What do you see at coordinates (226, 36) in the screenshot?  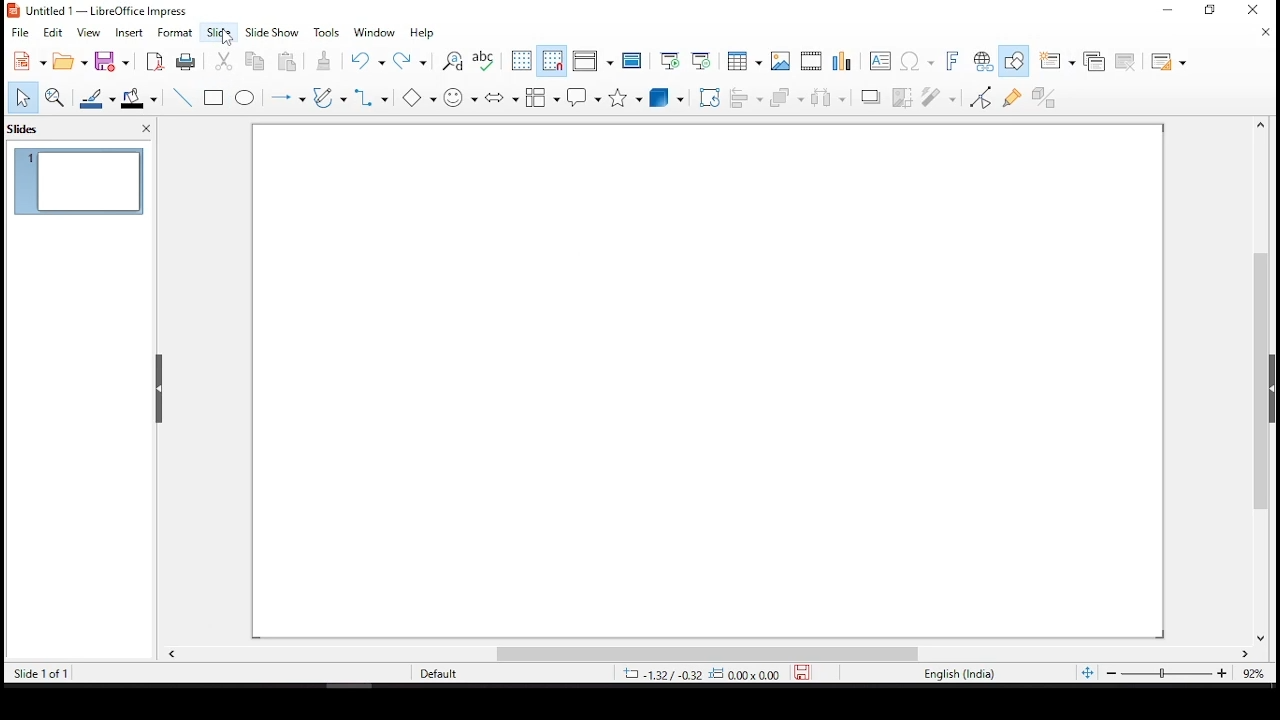 I see `Cursor` at bounding box center [226, 36].